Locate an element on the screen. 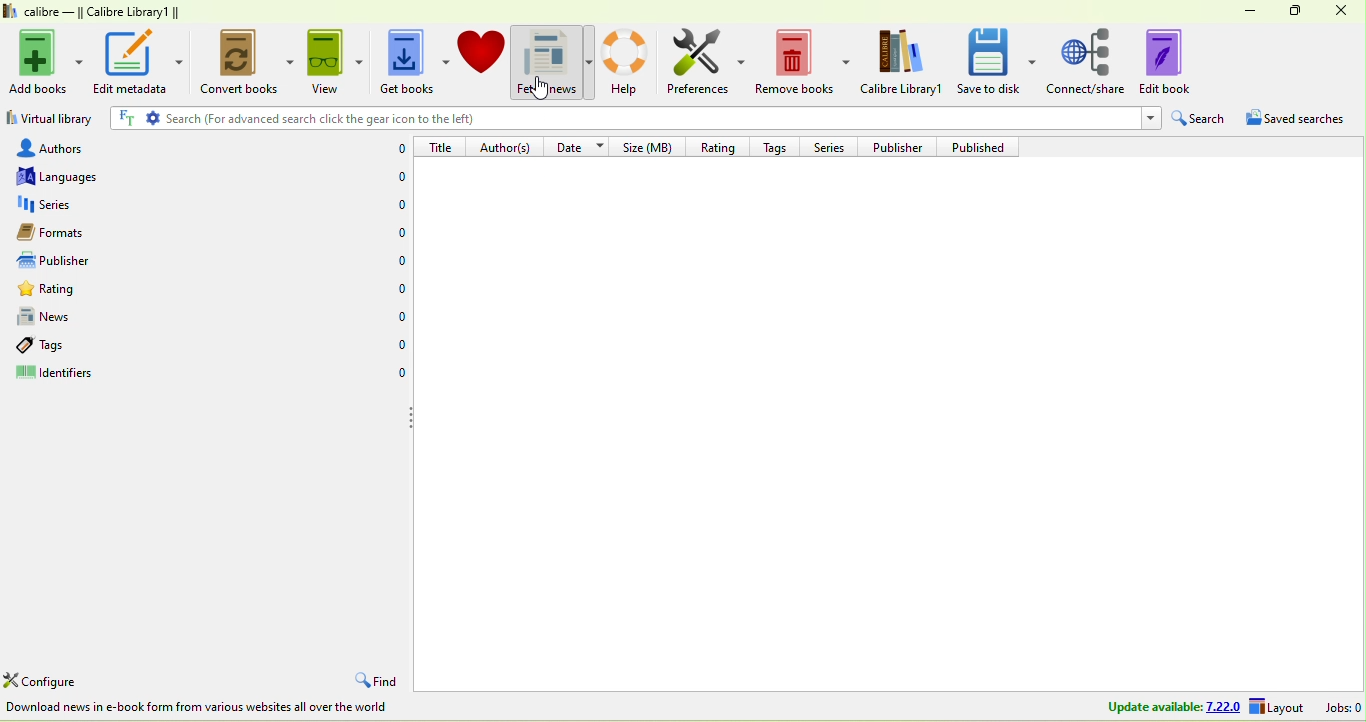  0 is located at coordinates (397, 235).